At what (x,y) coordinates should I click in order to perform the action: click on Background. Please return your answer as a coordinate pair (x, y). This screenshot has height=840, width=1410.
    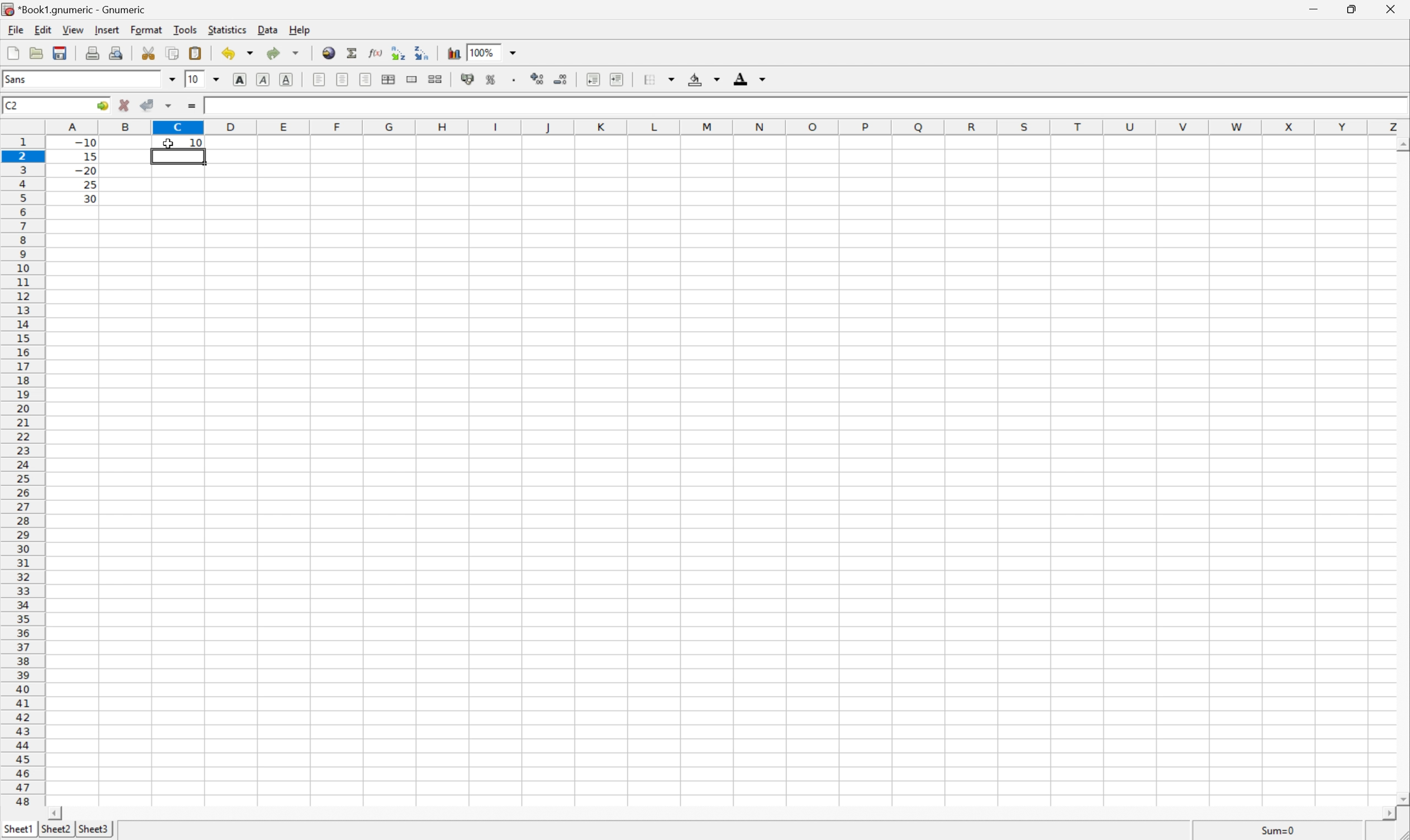
    Looking at the image, I should click on (695, 80).